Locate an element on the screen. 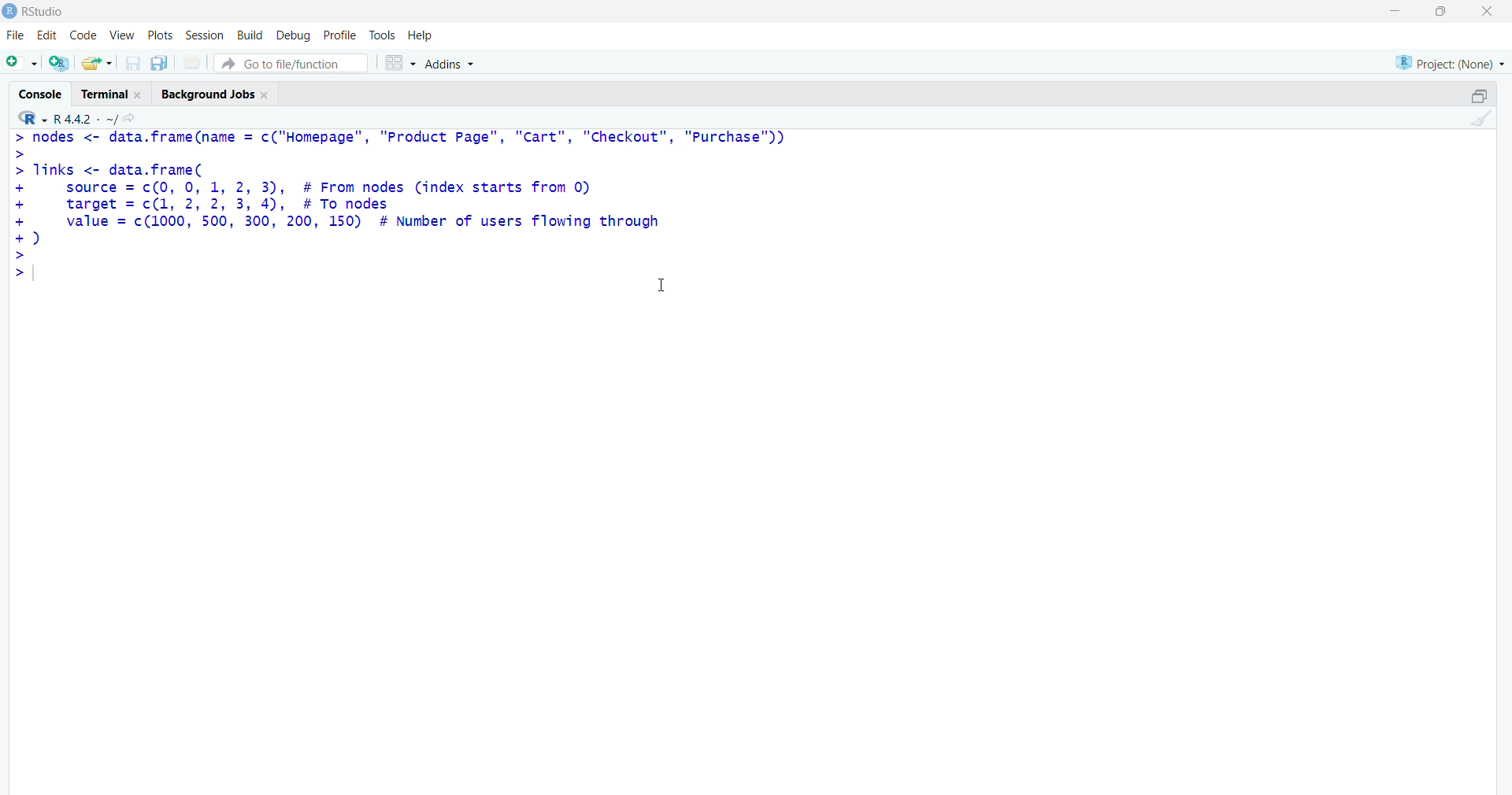 Image resolution: width=1512 pixels, height=795 pixels. menu is located at coordinates (20, 64).